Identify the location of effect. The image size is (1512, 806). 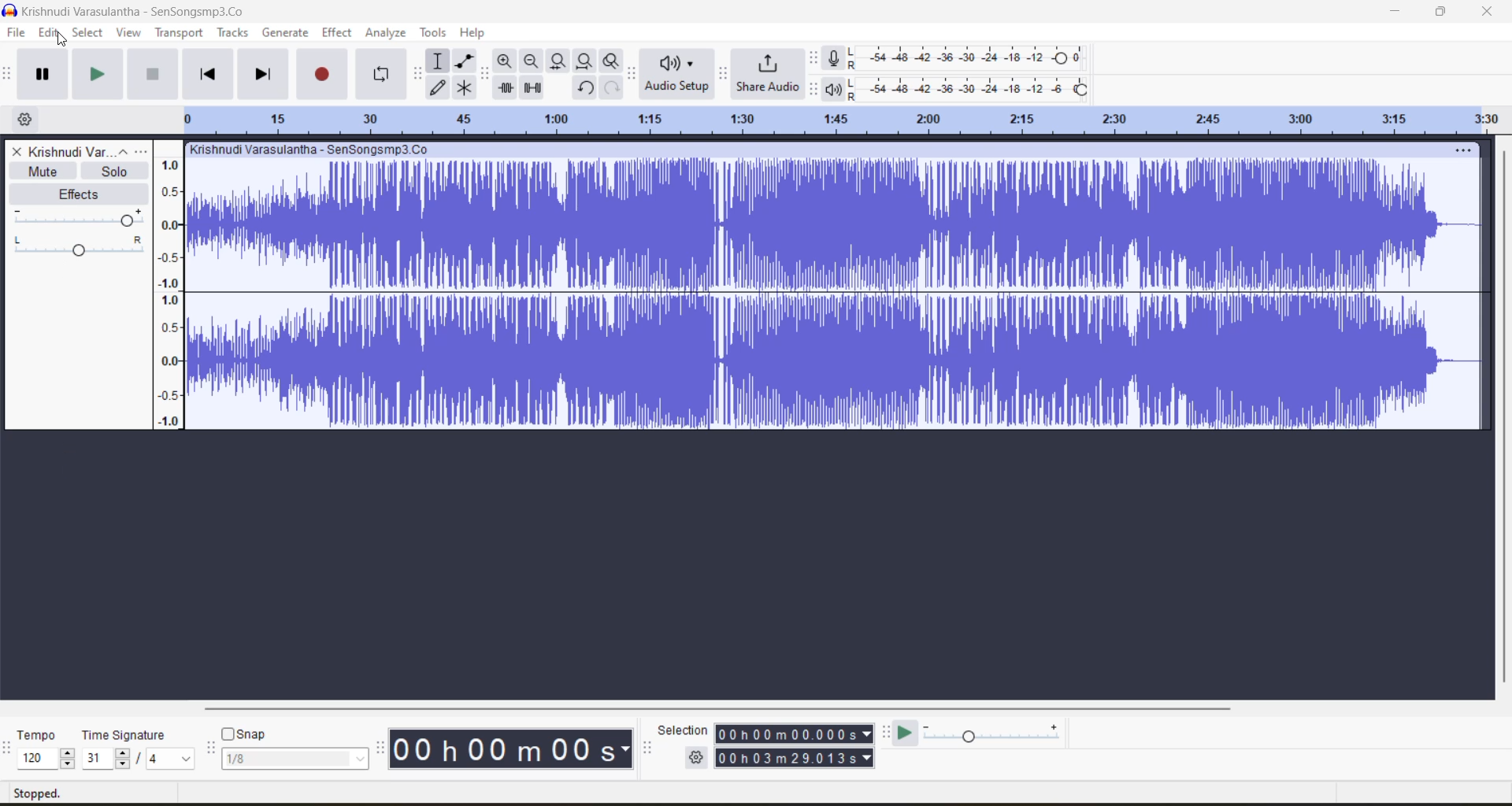
(338, 33).